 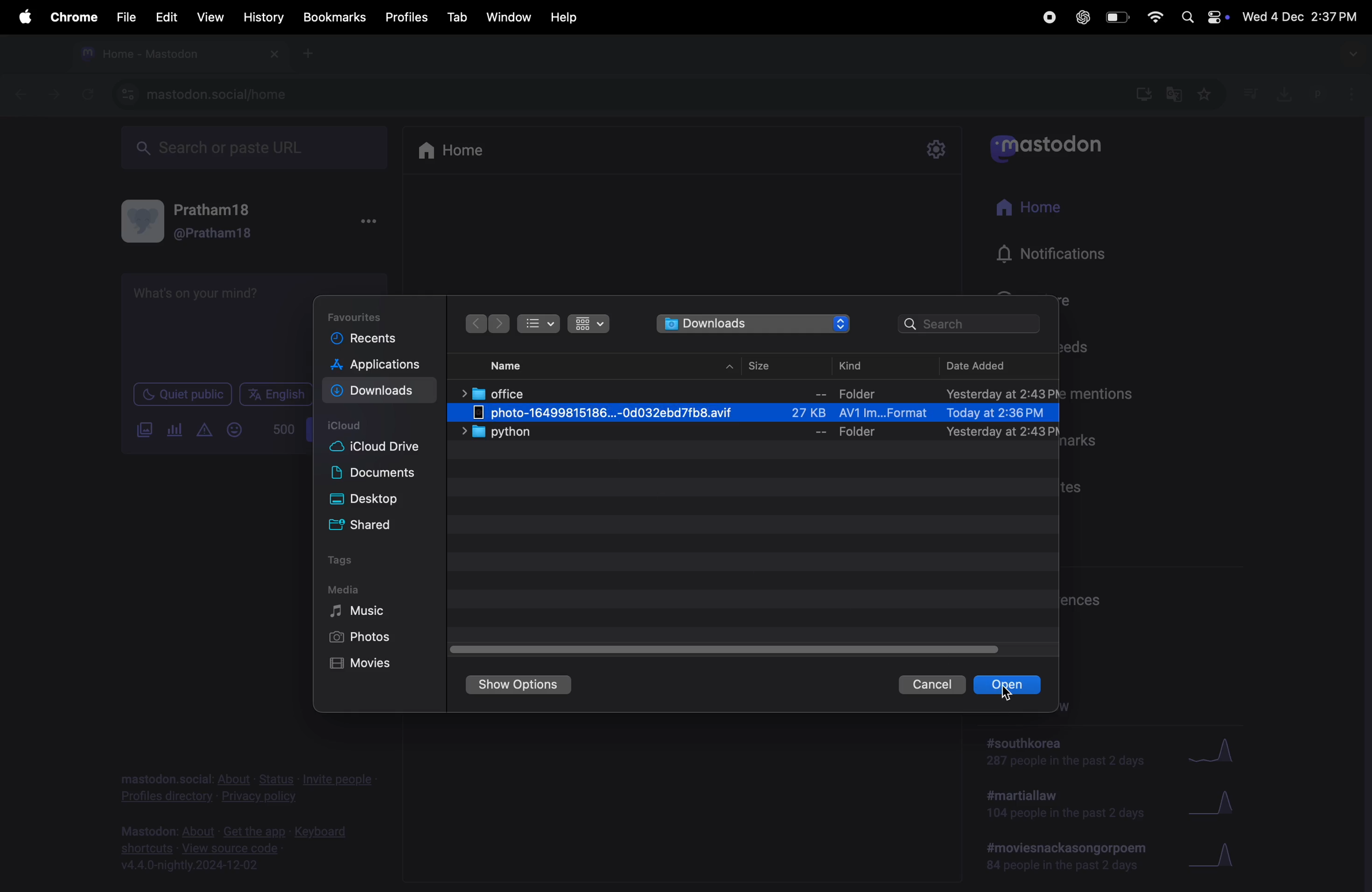 I want to click on Settings, so click(x=936, y=150).